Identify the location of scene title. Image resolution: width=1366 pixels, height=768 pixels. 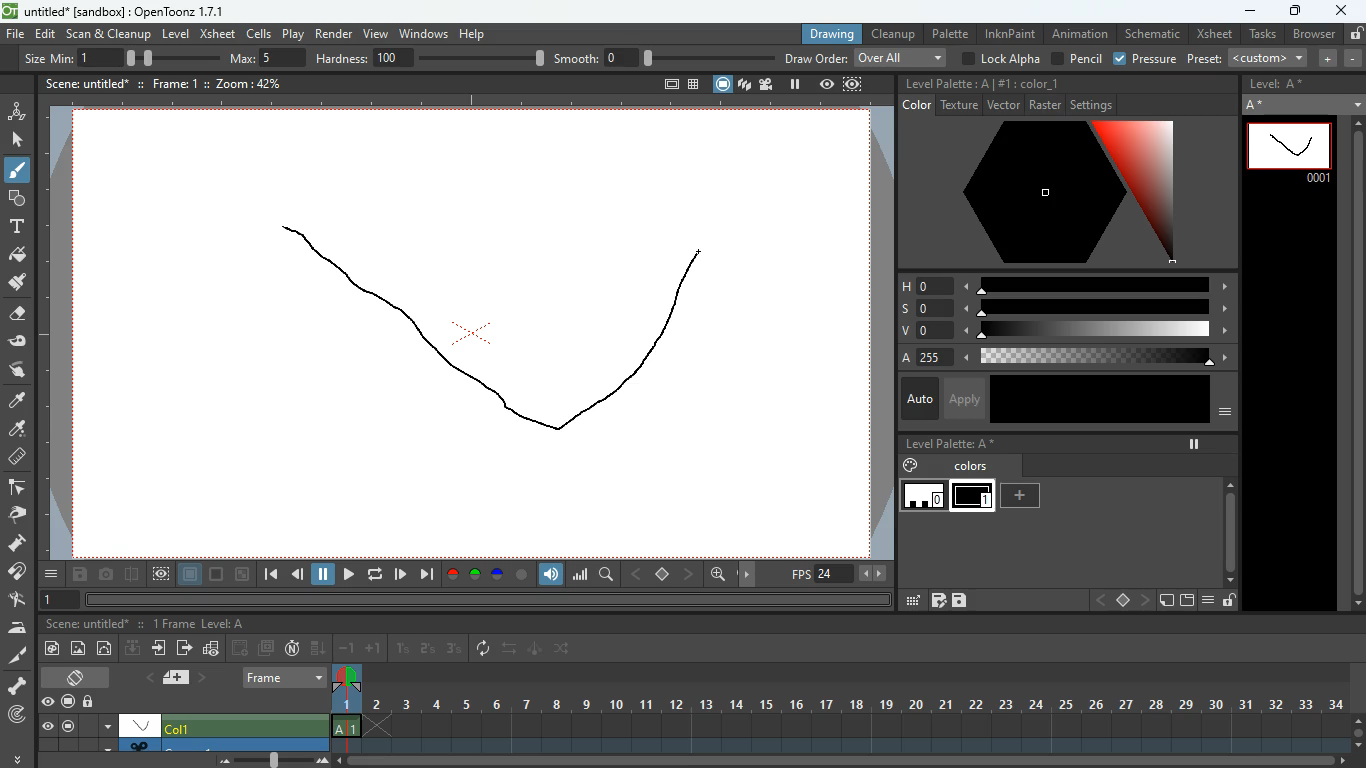
(90, 624).